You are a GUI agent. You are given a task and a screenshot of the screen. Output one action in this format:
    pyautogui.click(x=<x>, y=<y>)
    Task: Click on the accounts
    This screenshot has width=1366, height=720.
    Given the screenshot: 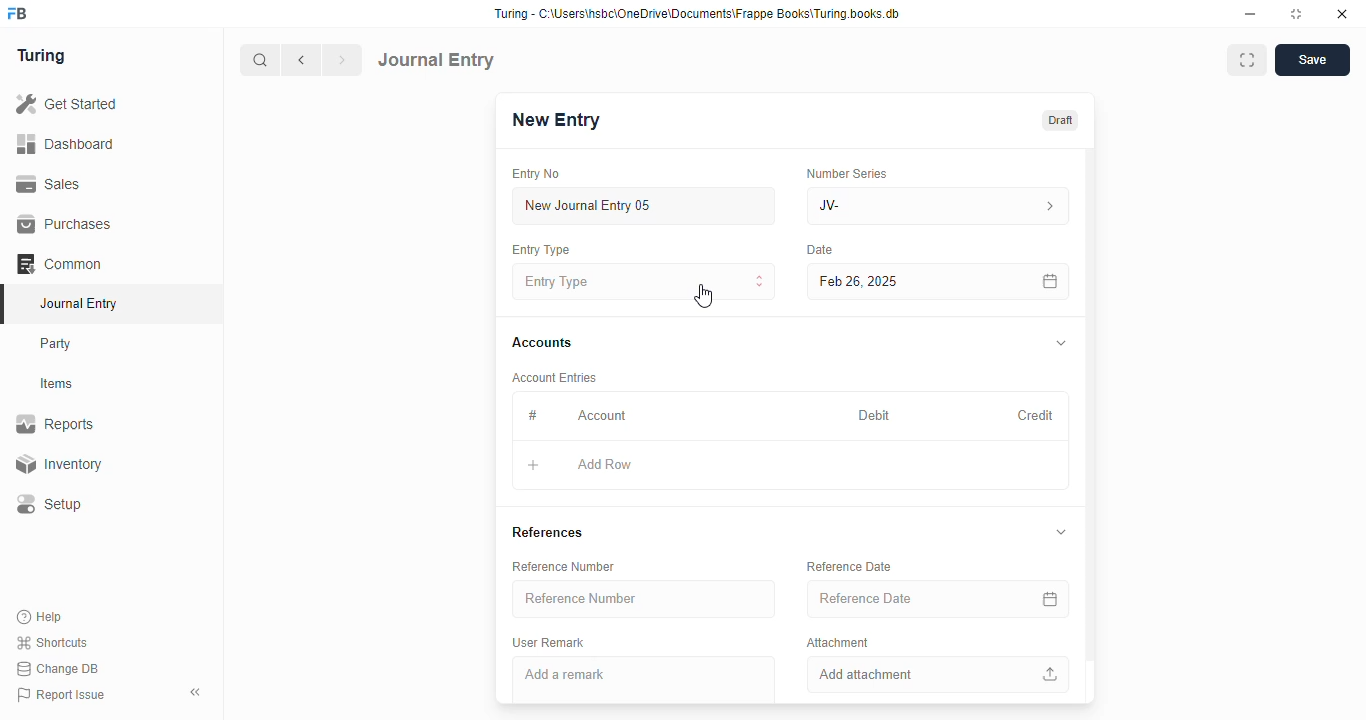 What is the action you would take?
    pyautogui.click(x=542, y=343)
    